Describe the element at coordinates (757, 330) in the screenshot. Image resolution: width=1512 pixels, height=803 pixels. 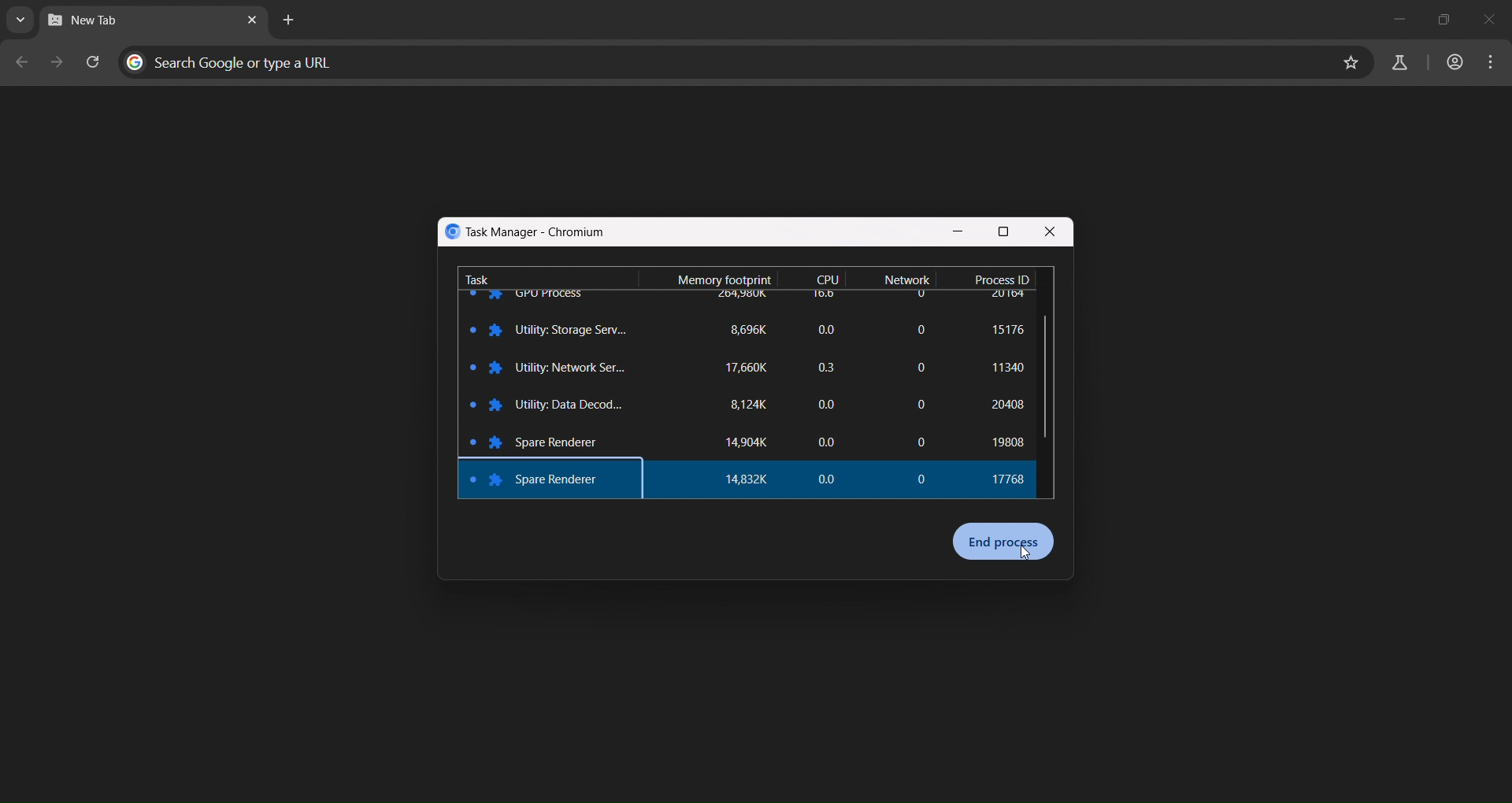
I see `8,696K` at that location.